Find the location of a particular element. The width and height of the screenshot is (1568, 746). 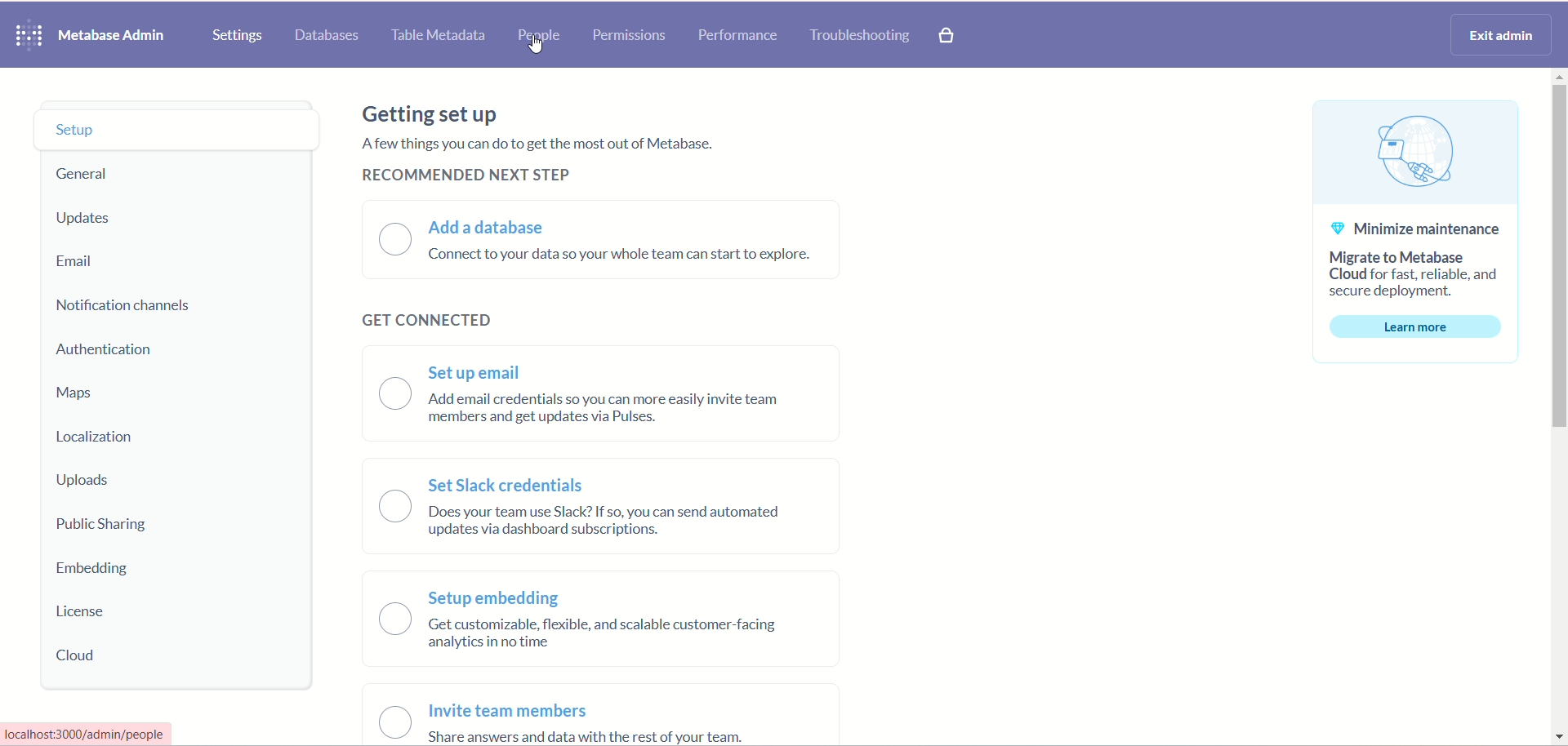

cloud is located at coordinates (79, 653).